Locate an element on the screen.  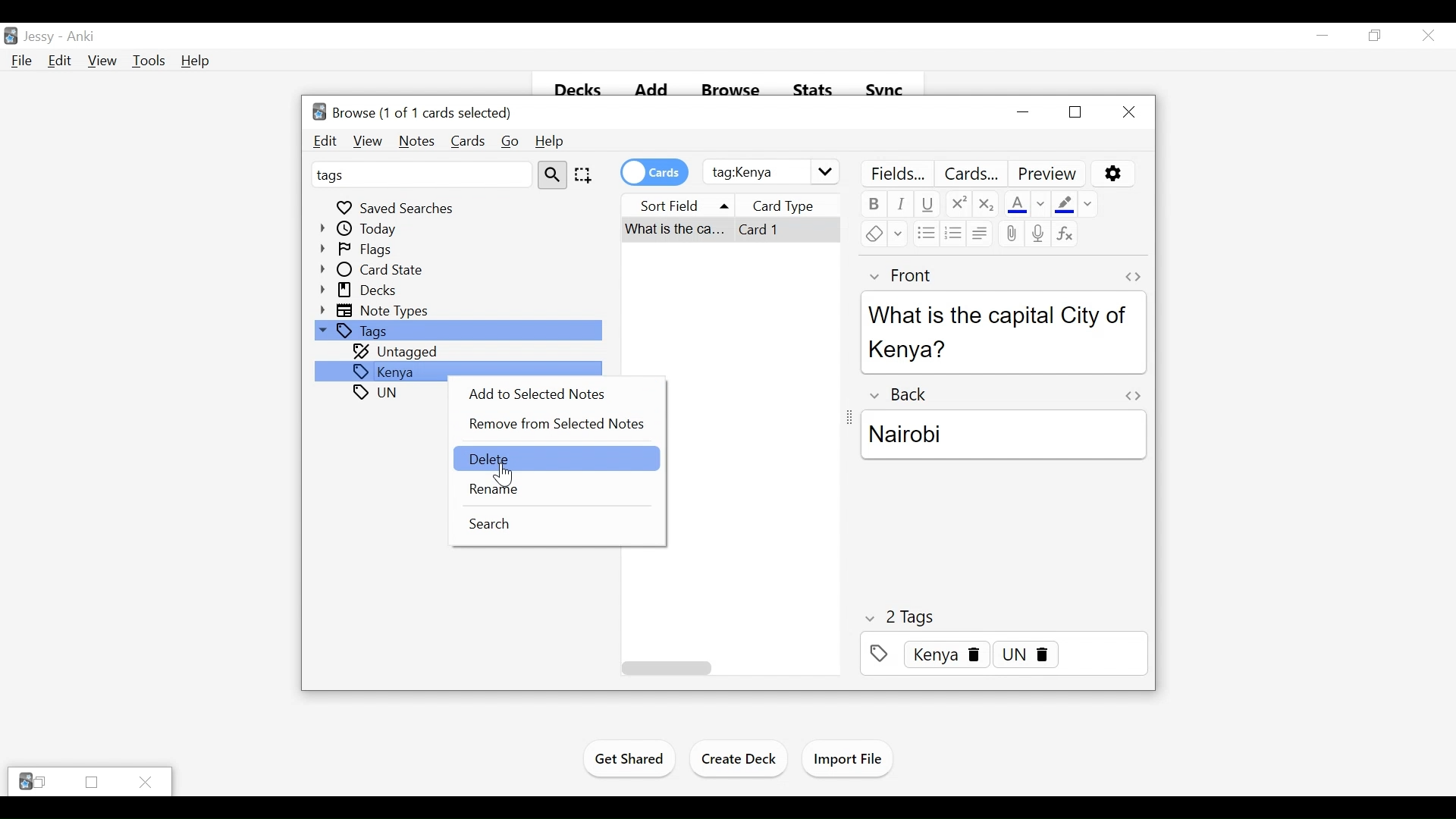
Equations is located at coordinates (1065, 234).